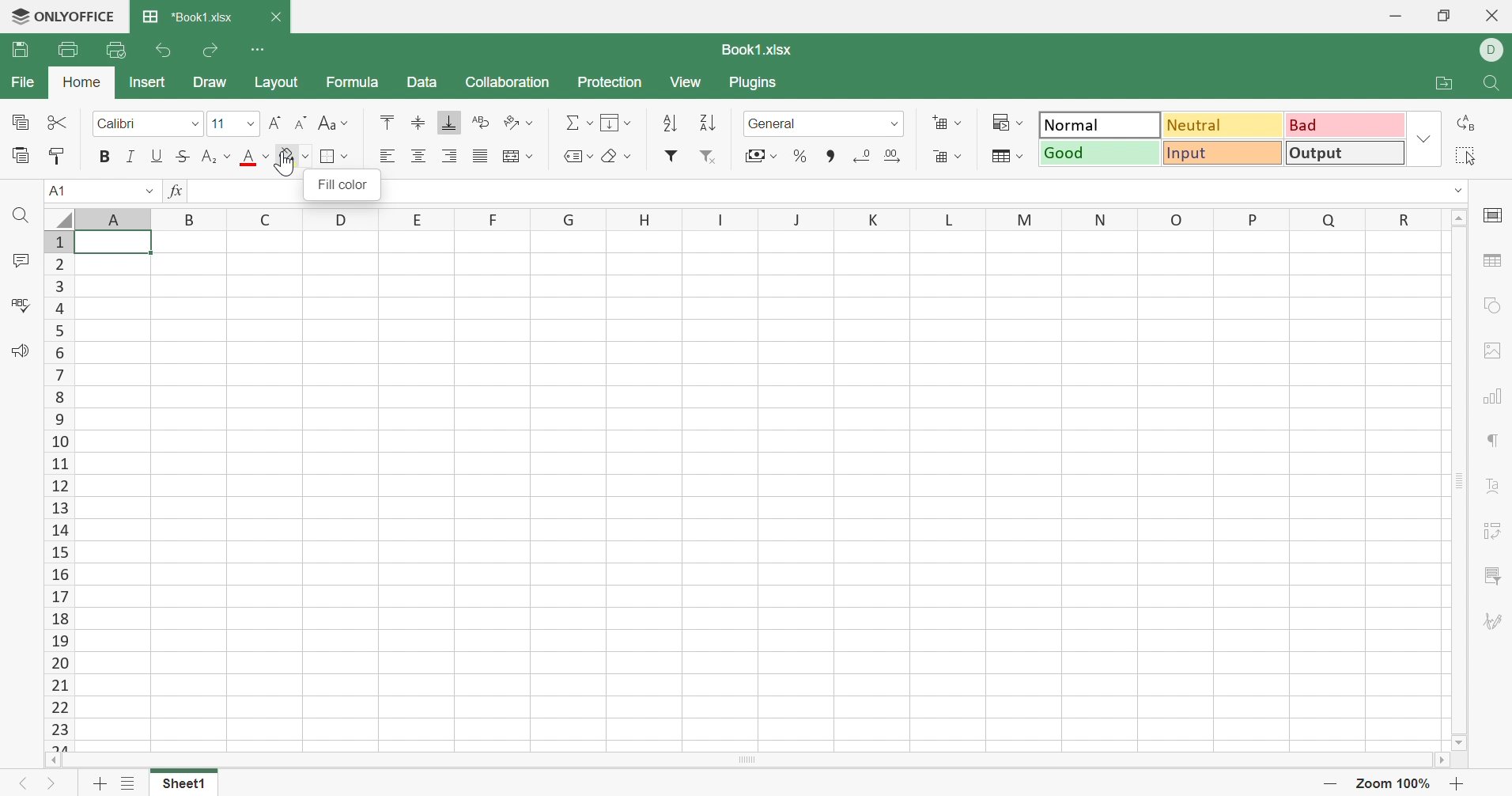  Describe the element at coordinates (277, 123) in the screenshot. I see `Increment font size` at that location.